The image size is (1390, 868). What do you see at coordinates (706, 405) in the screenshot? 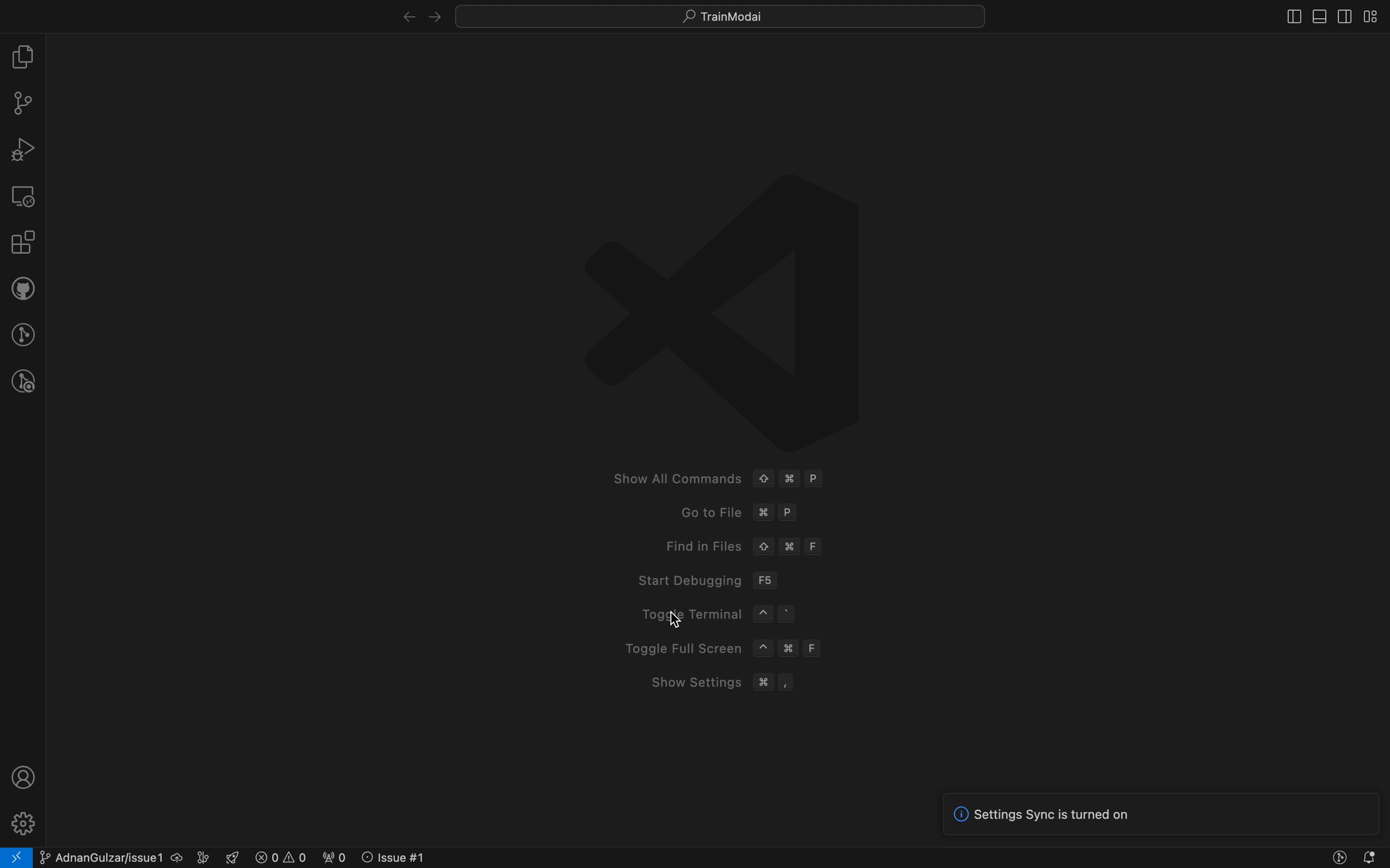
I see `welcome screen` at bounding box center [706, 405].